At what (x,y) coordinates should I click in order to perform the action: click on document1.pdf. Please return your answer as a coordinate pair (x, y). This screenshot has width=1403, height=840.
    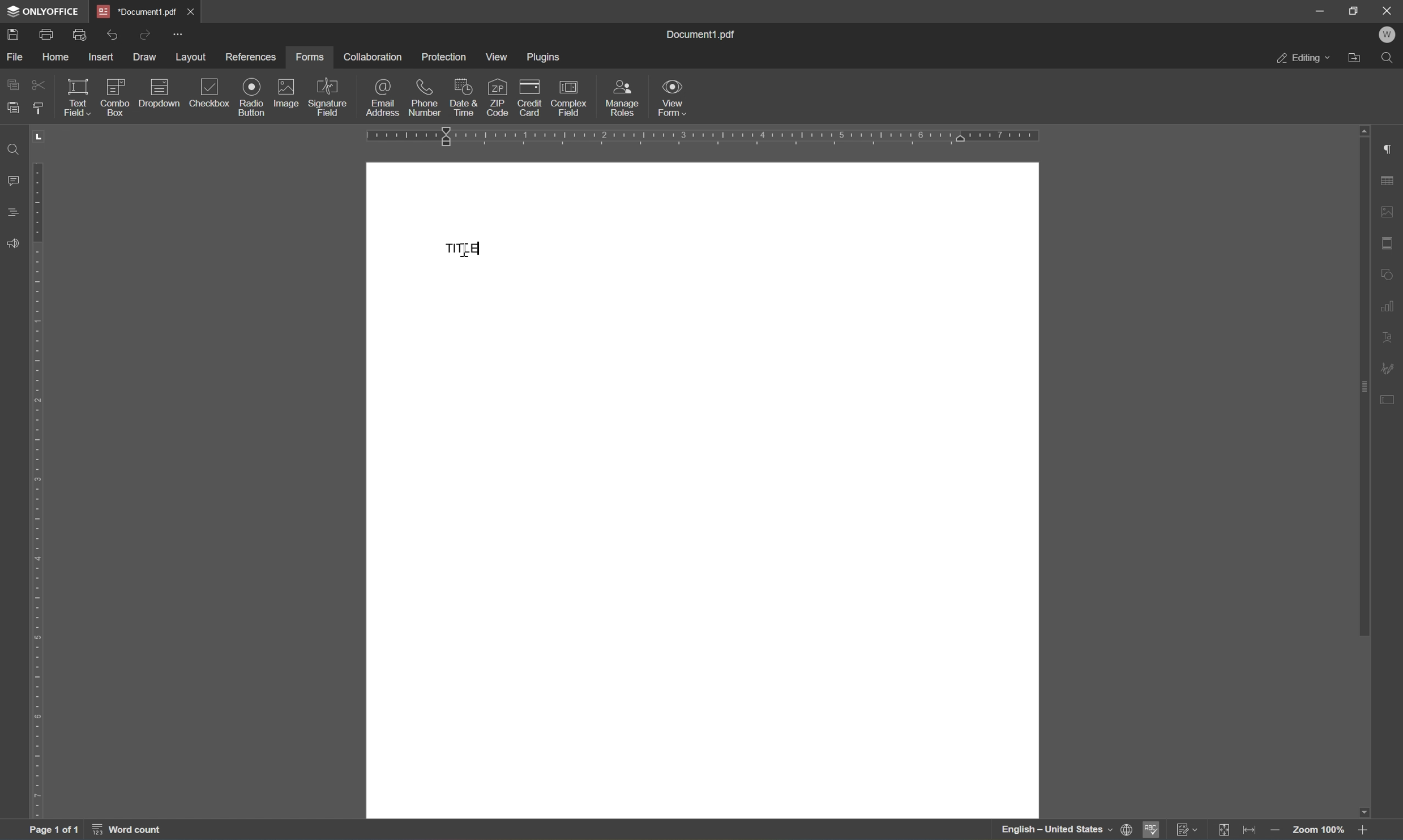
    Looking at the image, I should click on (703, 35).